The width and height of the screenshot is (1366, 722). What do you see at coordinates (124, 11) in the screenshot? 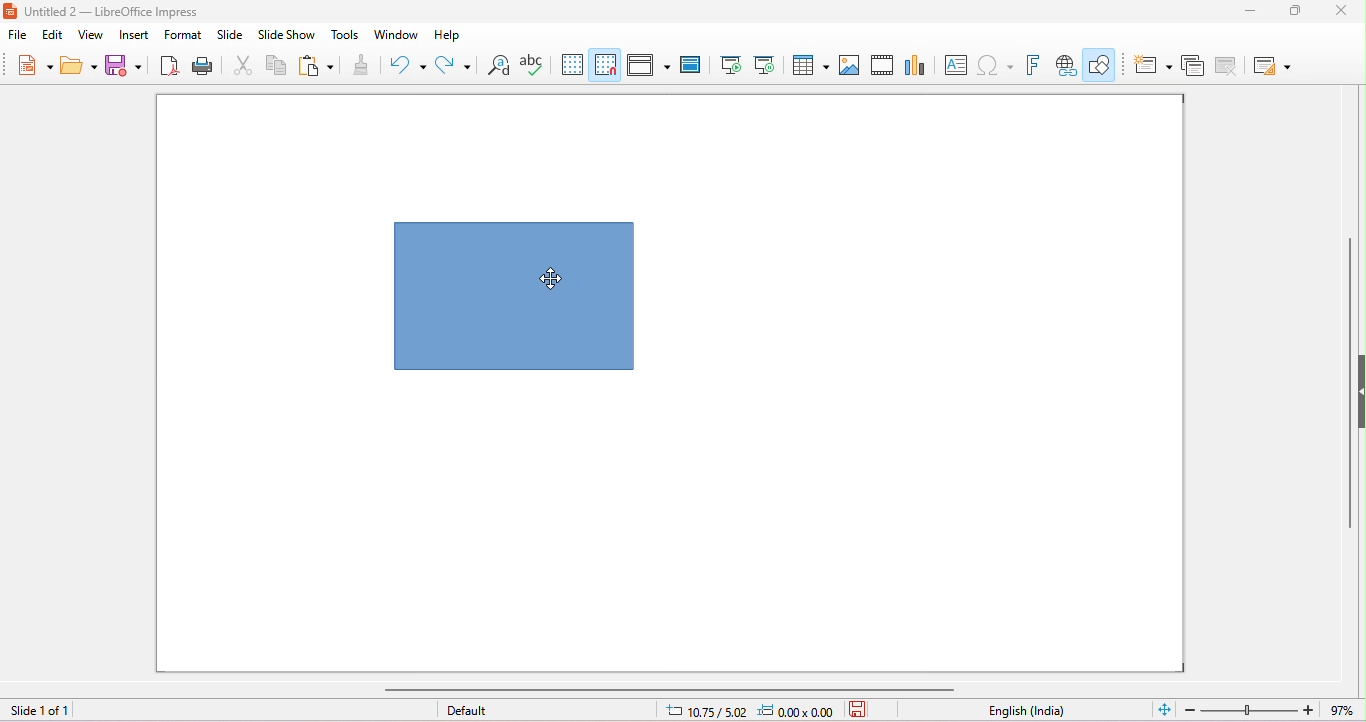
I see `untitled 2- libreoffice impress` at bounding box center [124, 11].